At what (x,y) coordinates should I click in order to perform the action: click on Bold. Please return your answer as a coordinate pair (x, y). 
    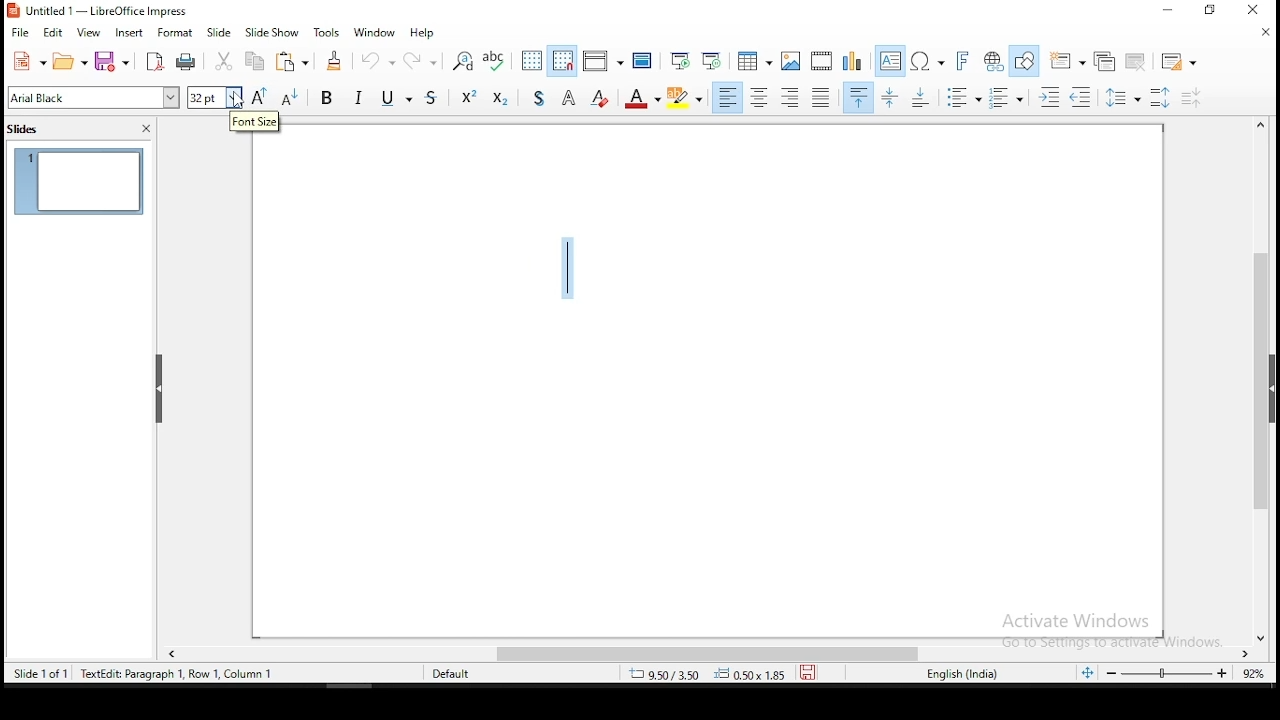
    Looking at the image, I should click on (327, 96).